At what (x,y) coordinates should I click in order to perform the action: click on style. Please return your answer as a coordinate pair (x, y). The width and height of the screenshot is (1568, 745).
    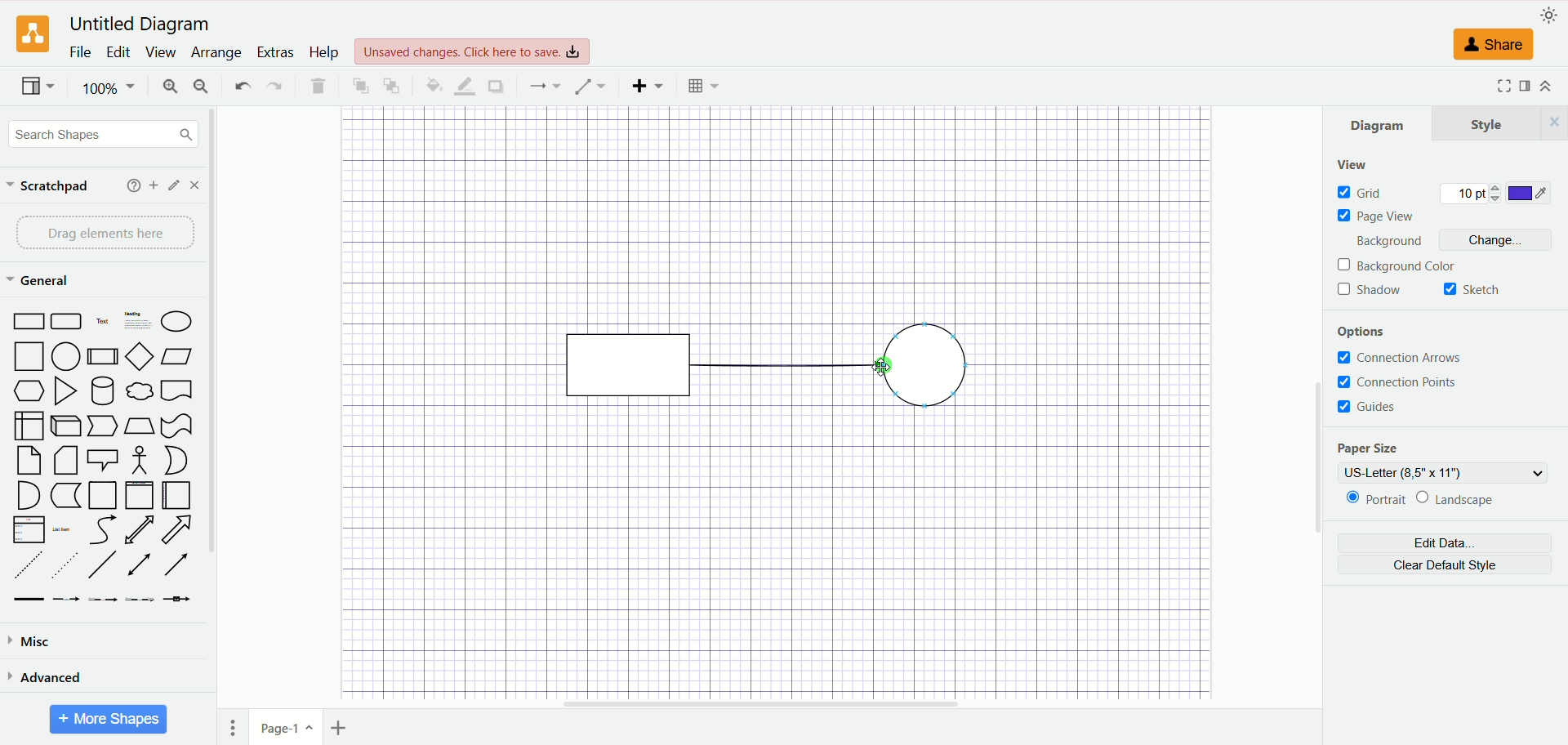
    Looking at the image, I should click on (1500, 123).